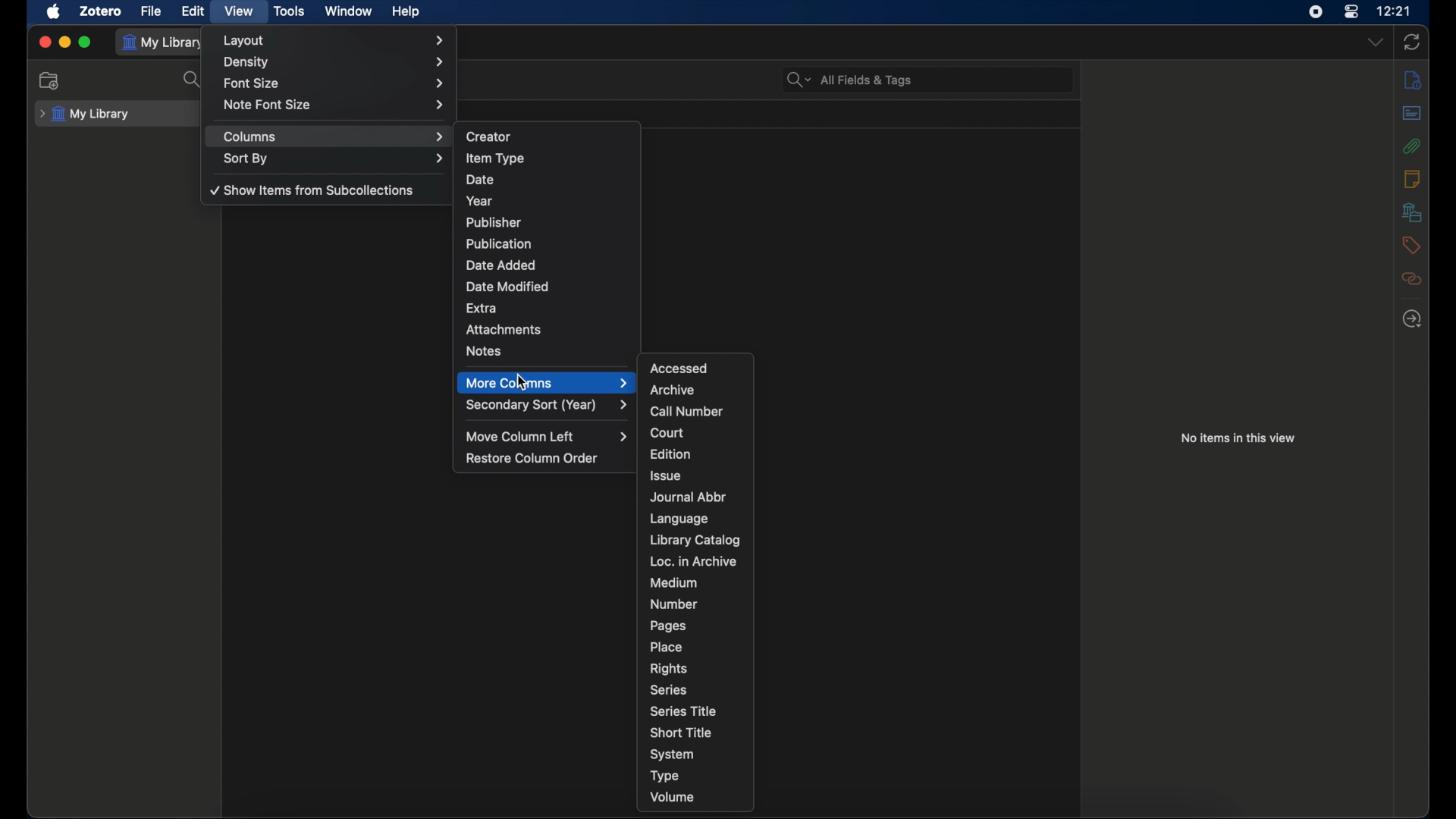 The image size is (1456, 819). I want to click on item type, so click(495, 158).